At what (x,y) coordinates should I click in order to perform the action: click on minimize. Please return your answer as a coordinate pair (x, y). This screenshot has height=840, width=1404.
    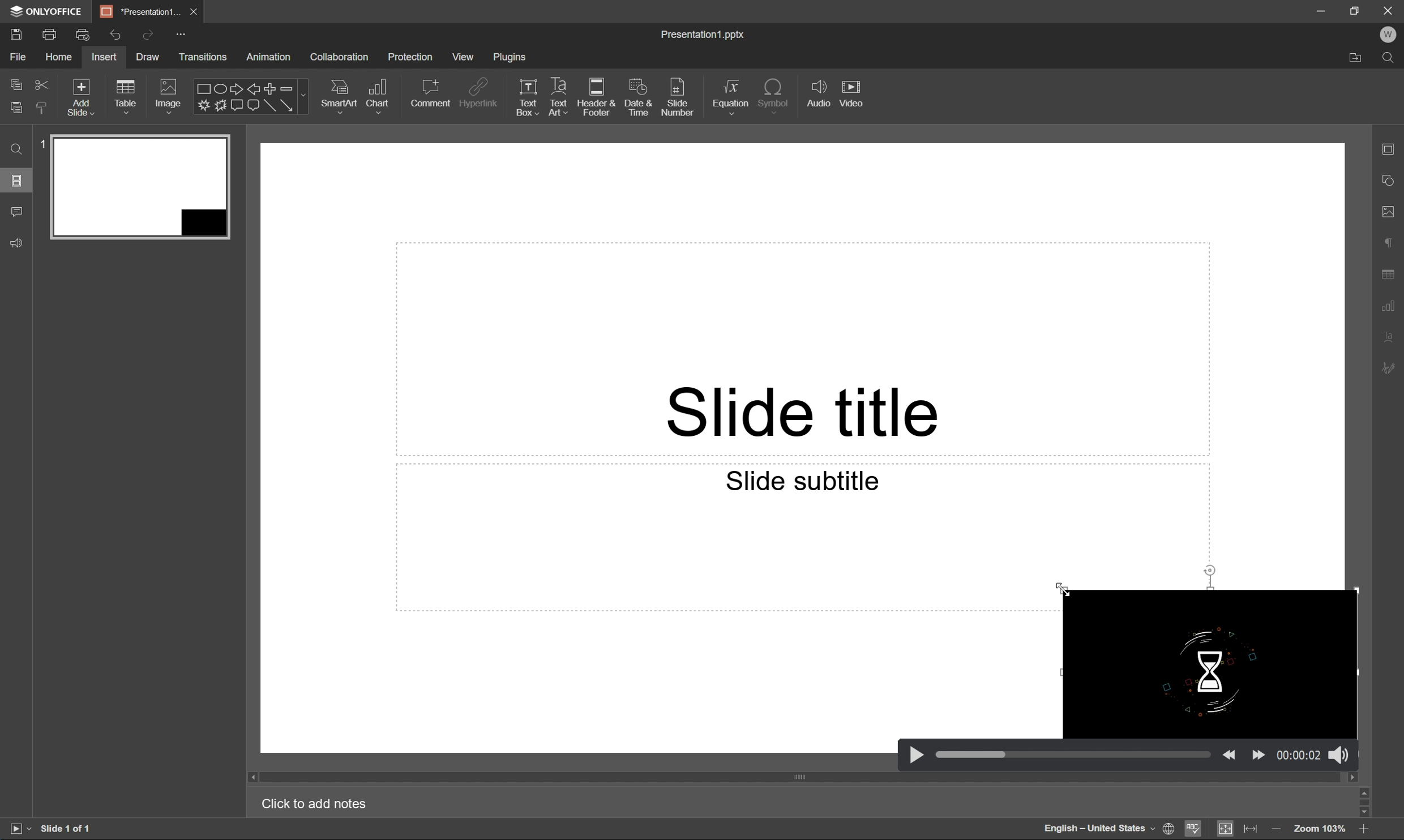
    Looking at the image, I should click on (1319, 9).